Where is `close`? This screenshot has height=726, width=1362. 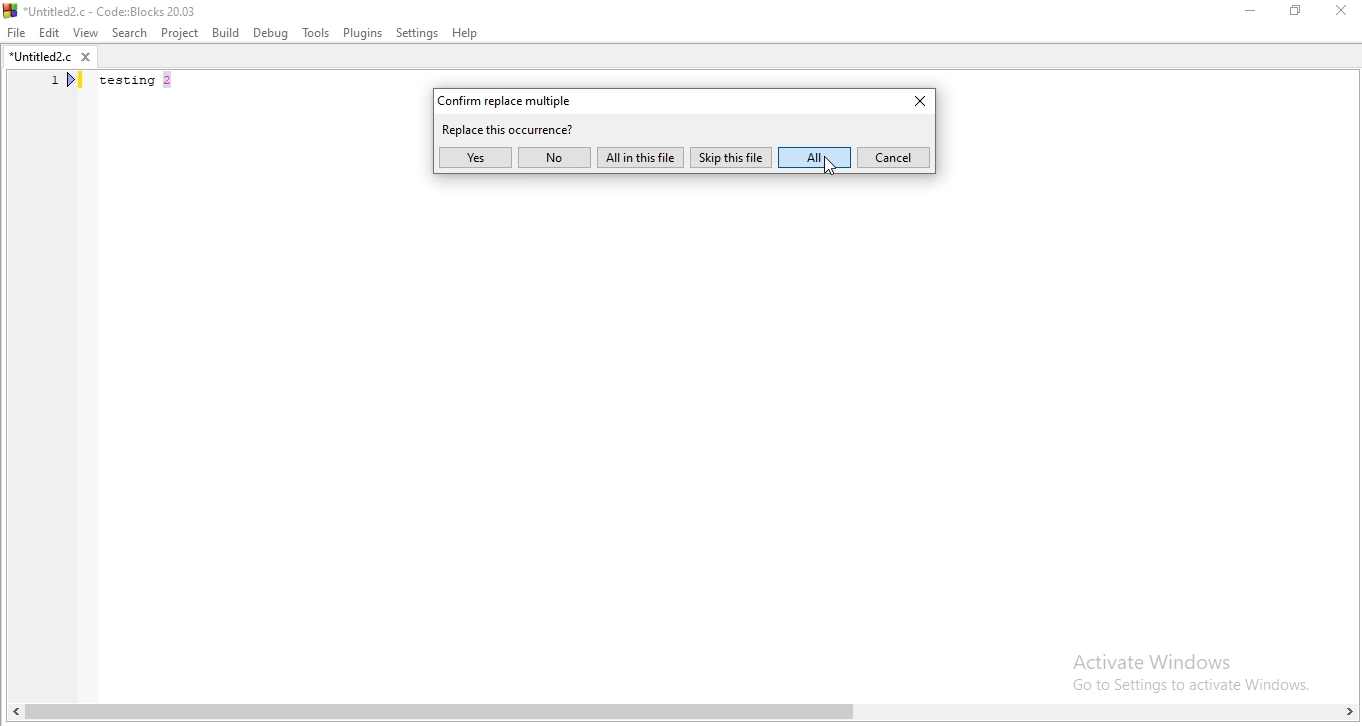 close is located at coordinates (913, 104).